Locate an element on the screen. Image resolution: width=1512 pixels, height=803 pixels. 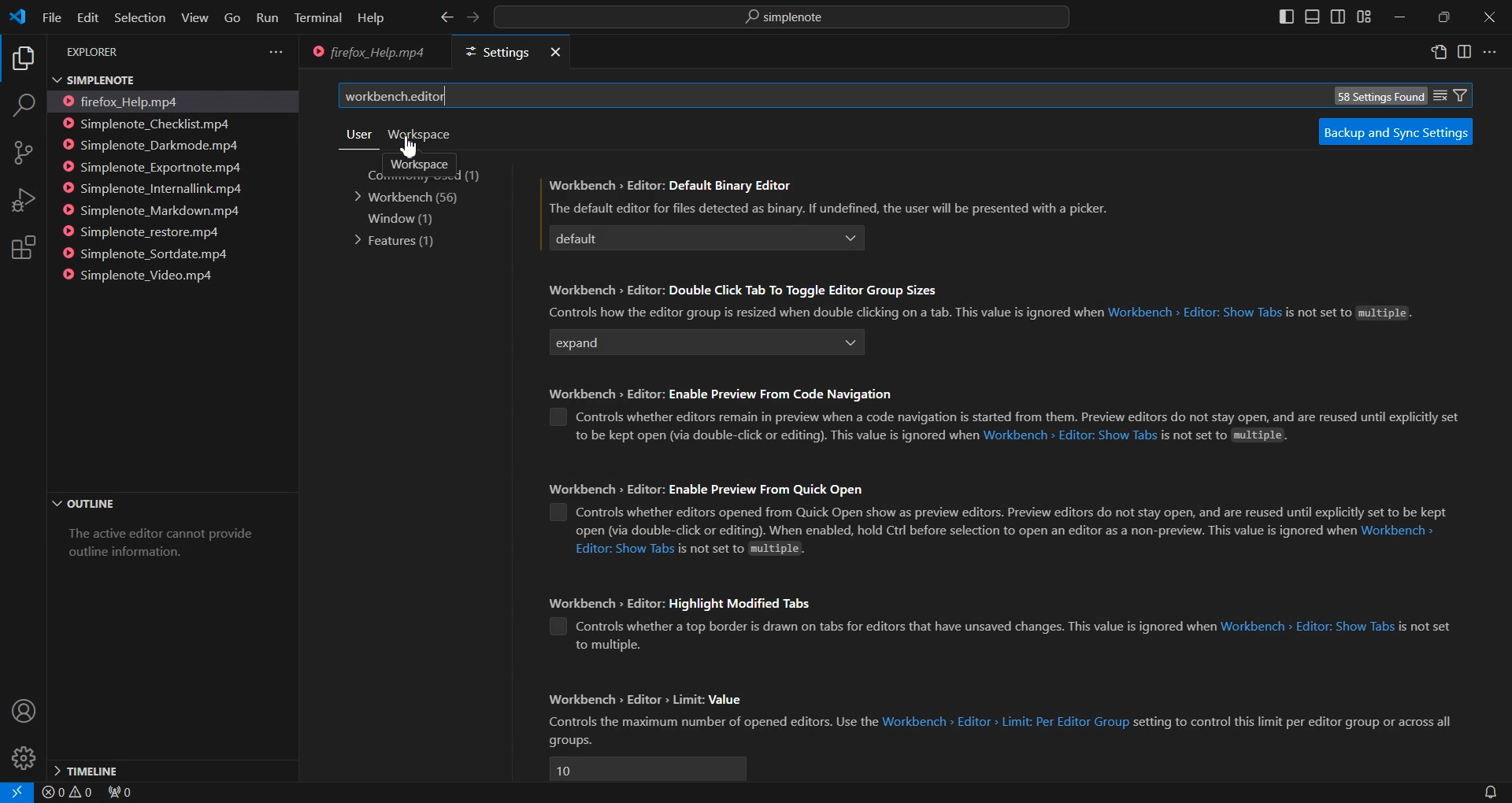
Workspace is located at coordinates (418, 135).